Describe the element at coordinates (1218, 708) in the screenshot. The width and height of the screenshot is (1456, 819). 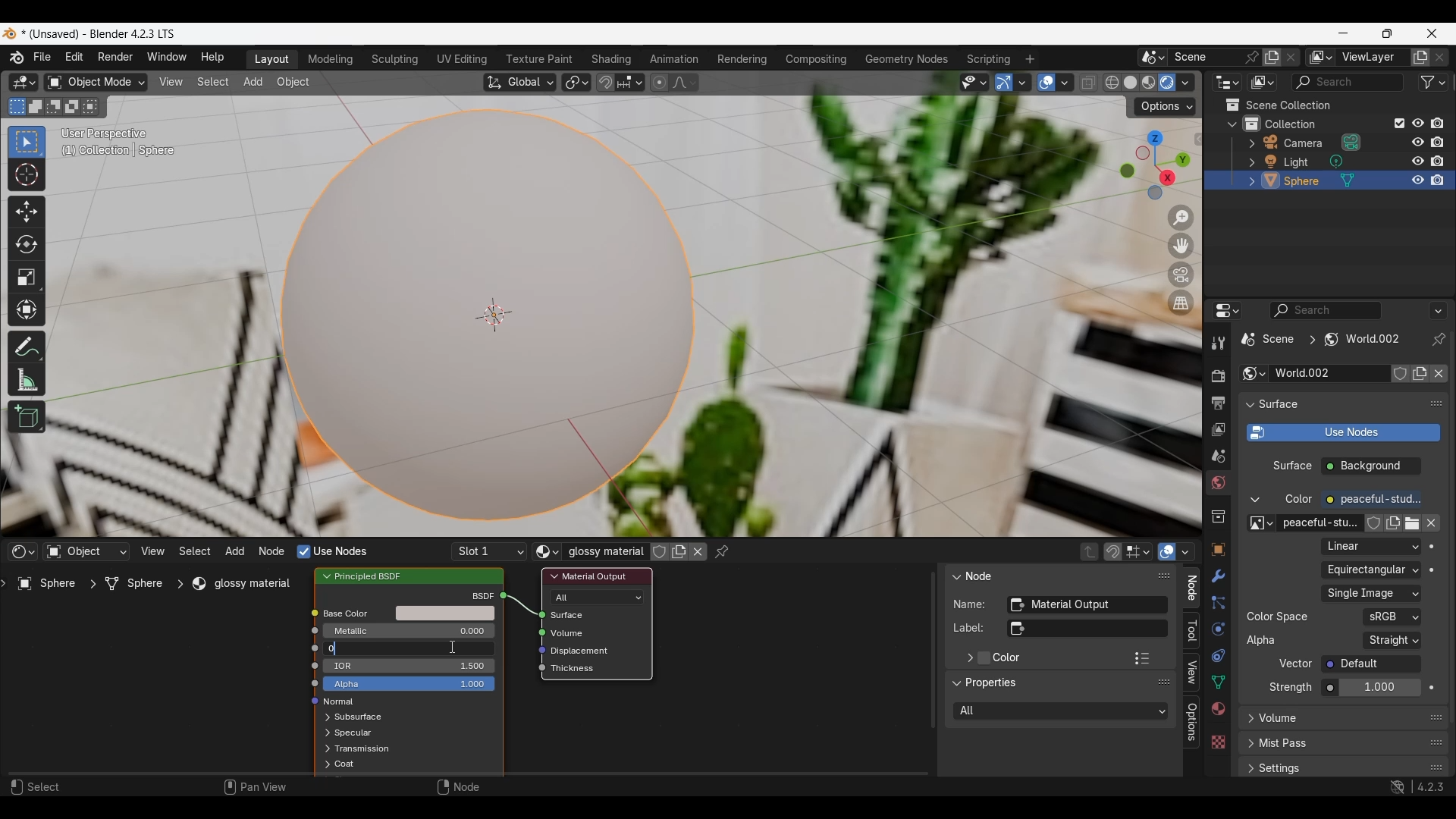
I see `Material properties` at that location.